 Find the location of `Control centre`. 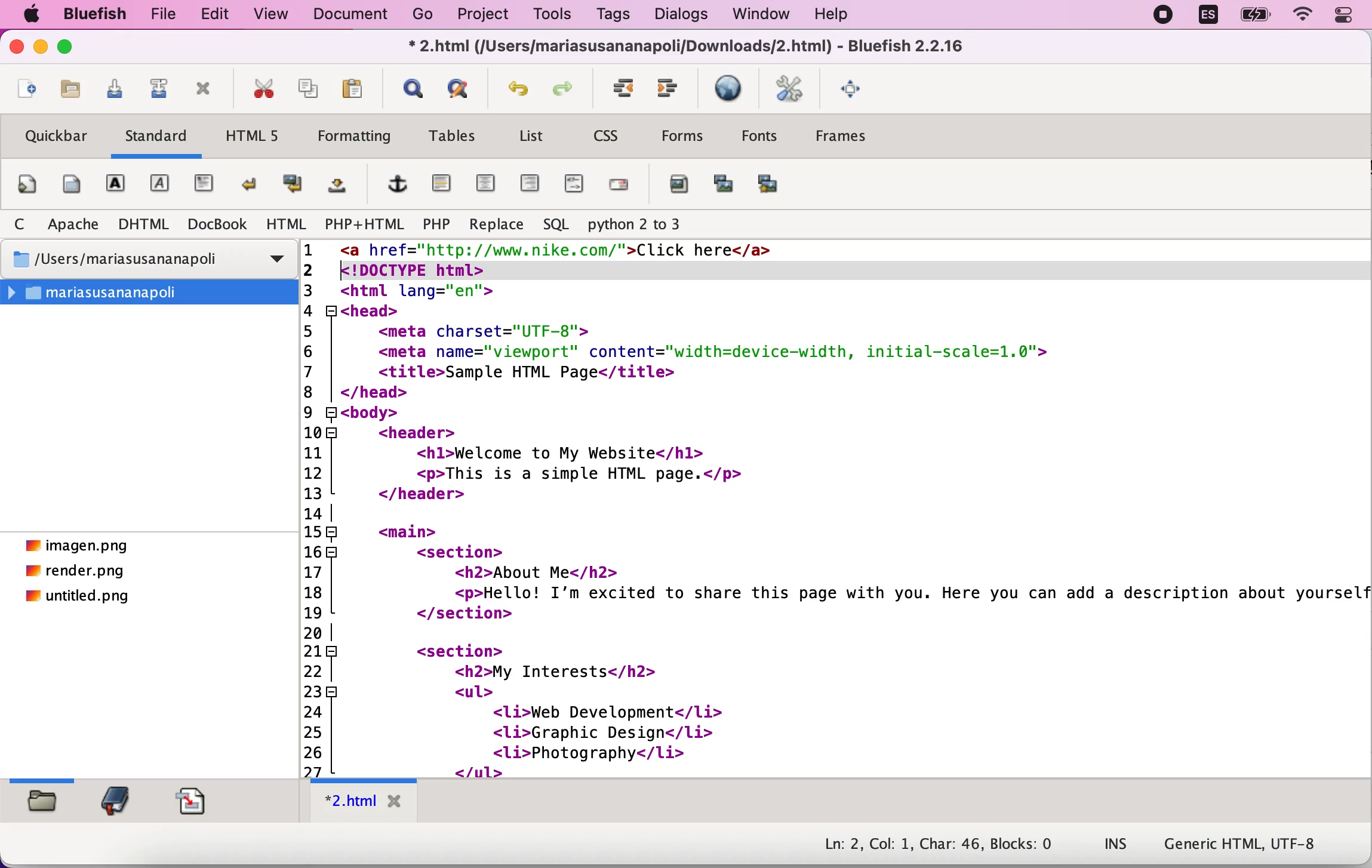

Control centre is located at coordinates (1344, 16).